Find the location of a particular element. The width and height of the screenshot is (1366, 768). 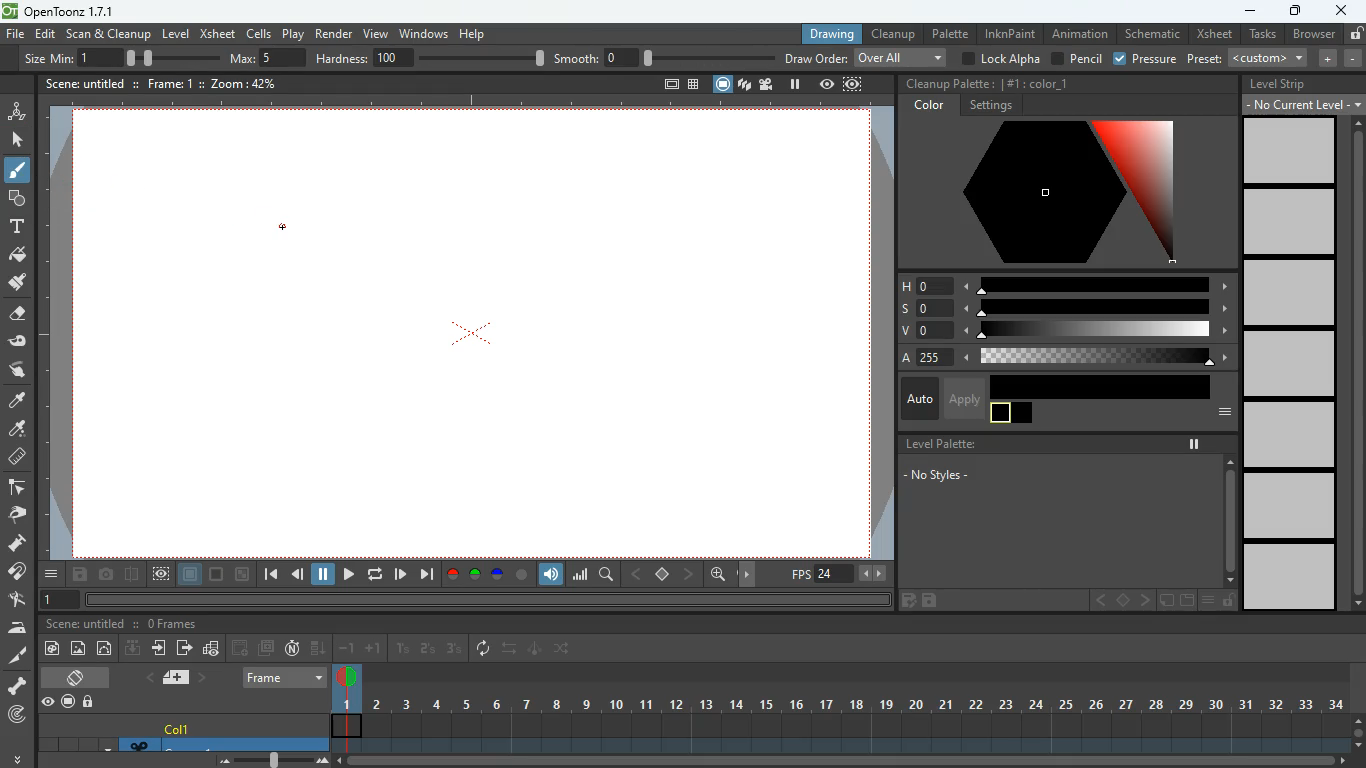

image is located at coordinates (79, 649).